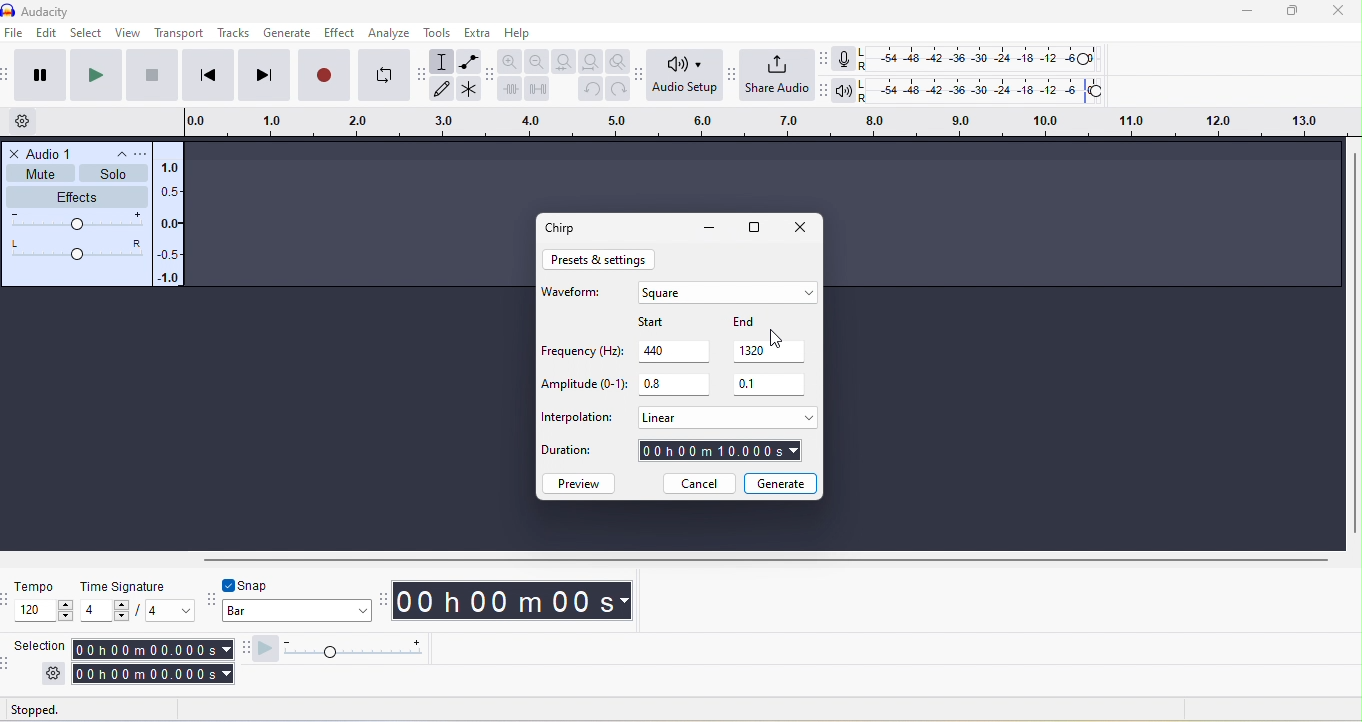  What do you see at coordinates (848, 58) in the screenshot?
I see `record meter` at bounding box center [848, 58].